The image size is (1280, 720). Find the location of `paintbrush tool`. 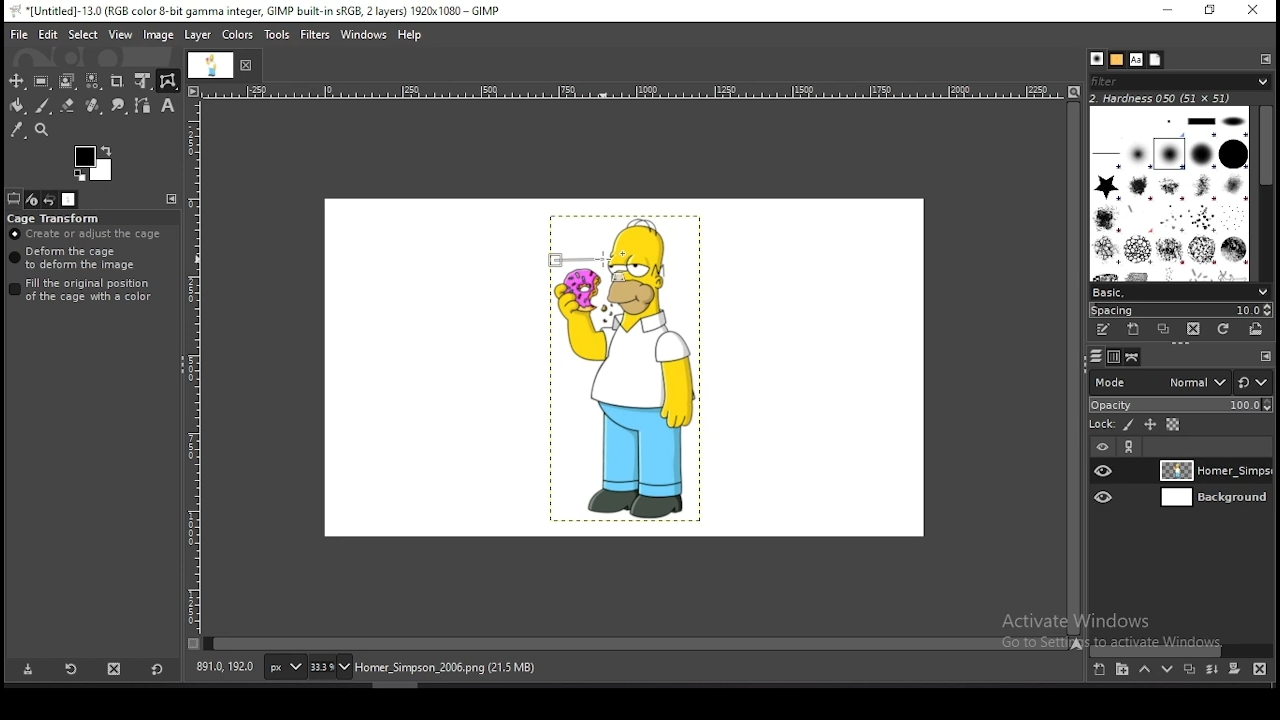

paintbrush tool is located at coordinates (42, 106).